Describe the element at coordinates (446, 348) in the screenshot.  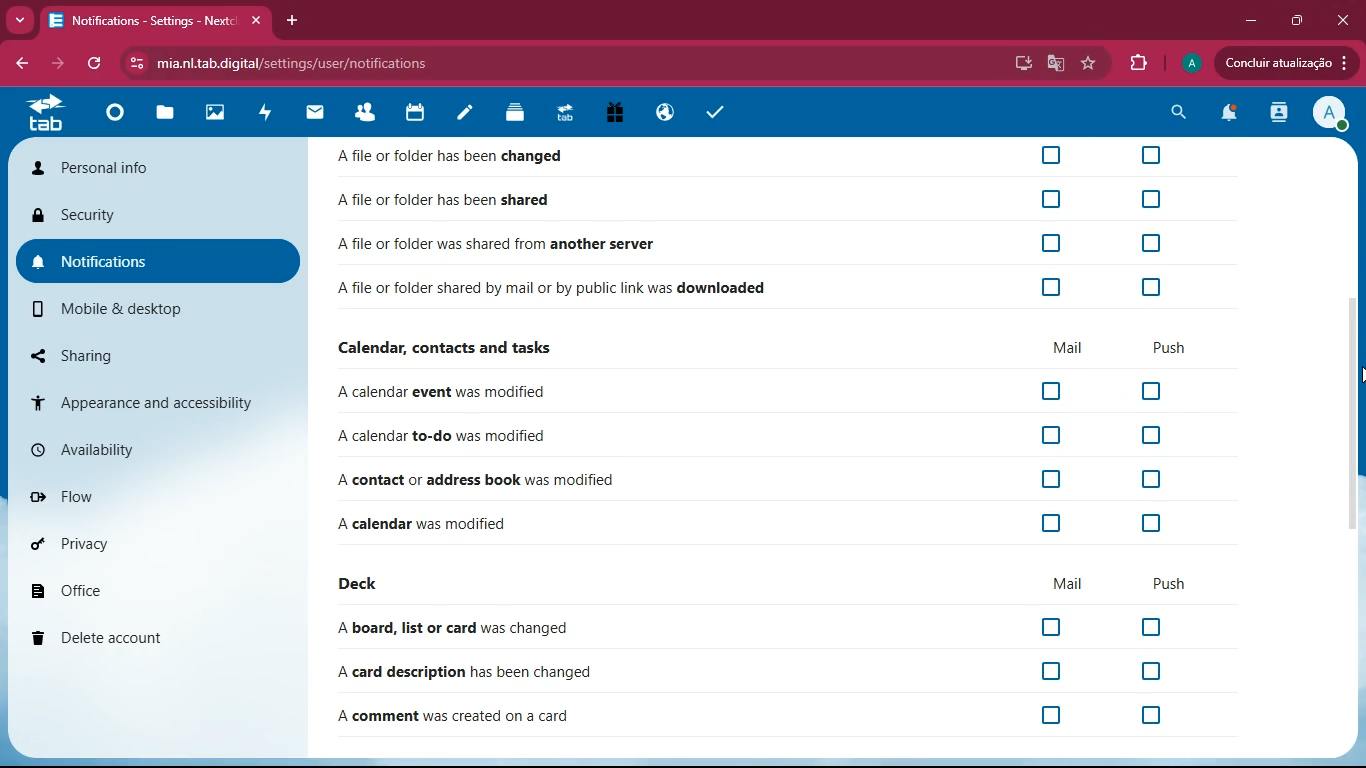
I see `Calendar, contacts and tasks` at that location.